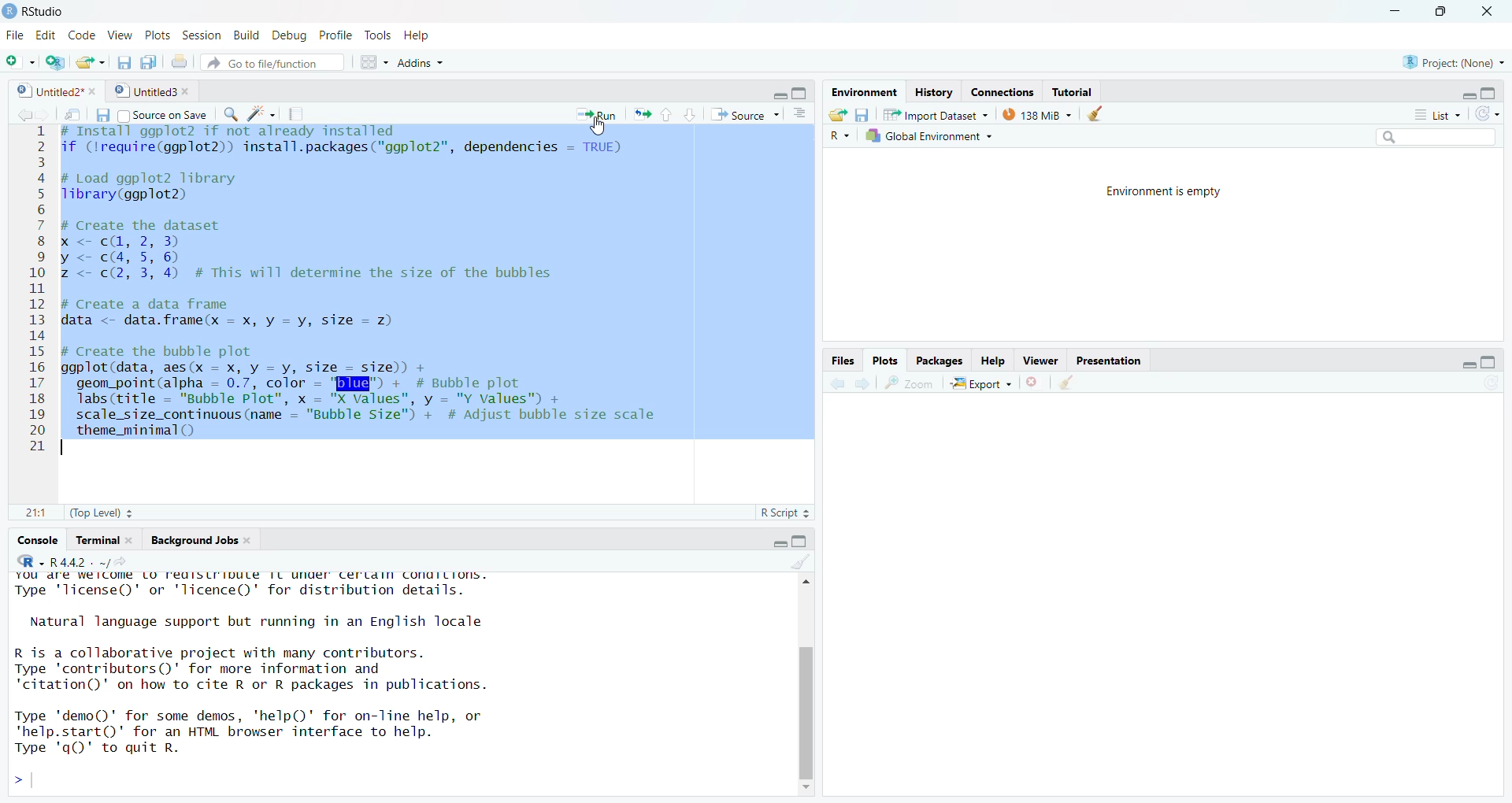 Image resolution: width=1512 pixels, height=803 pixels. What do you see at coordinates (1078, 90) in the screenshot?
I see `Tutorial` at bounding box center [1078, 90].